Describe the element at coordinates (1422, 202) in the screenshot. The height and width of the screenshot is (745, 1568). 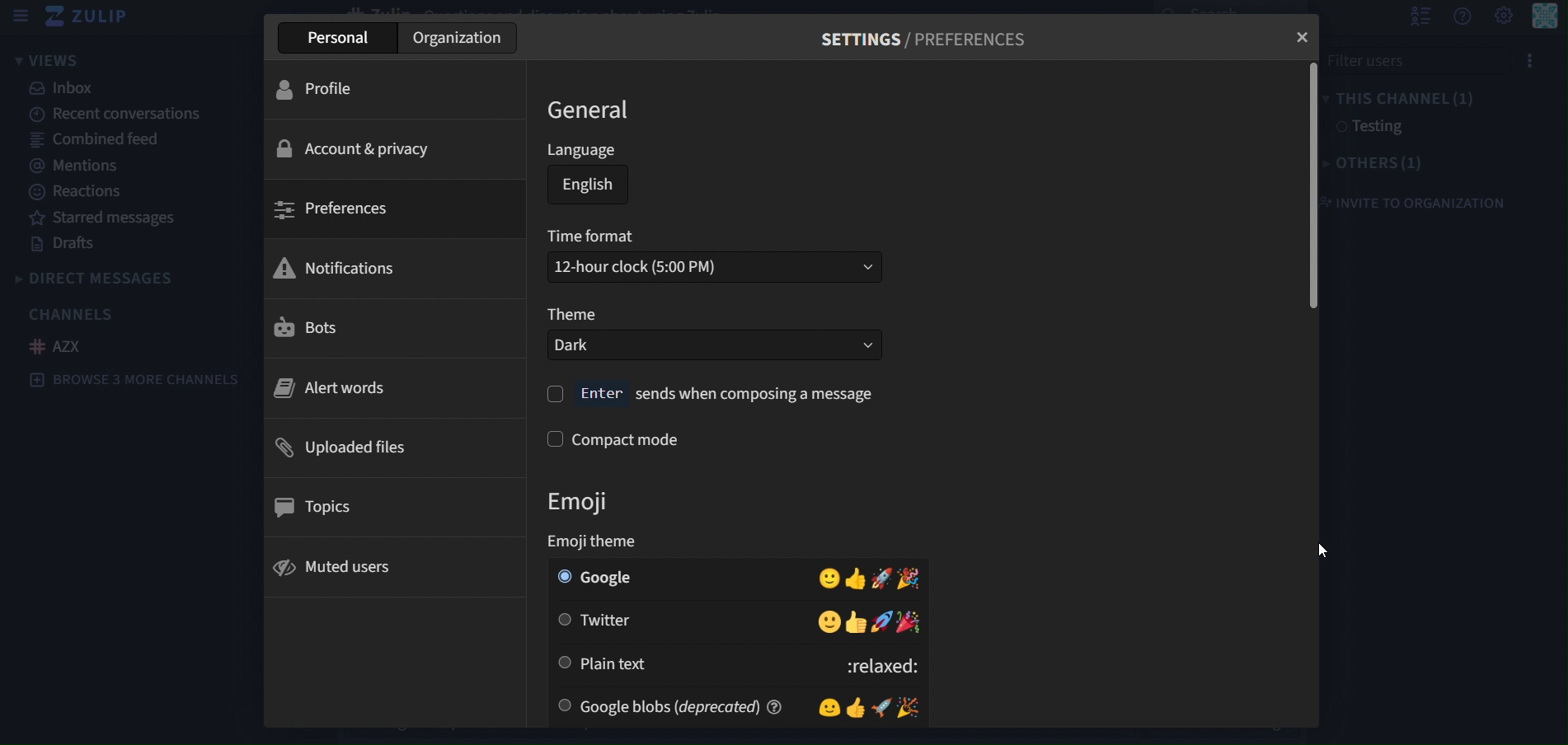
I see `invite to organization` at that location.